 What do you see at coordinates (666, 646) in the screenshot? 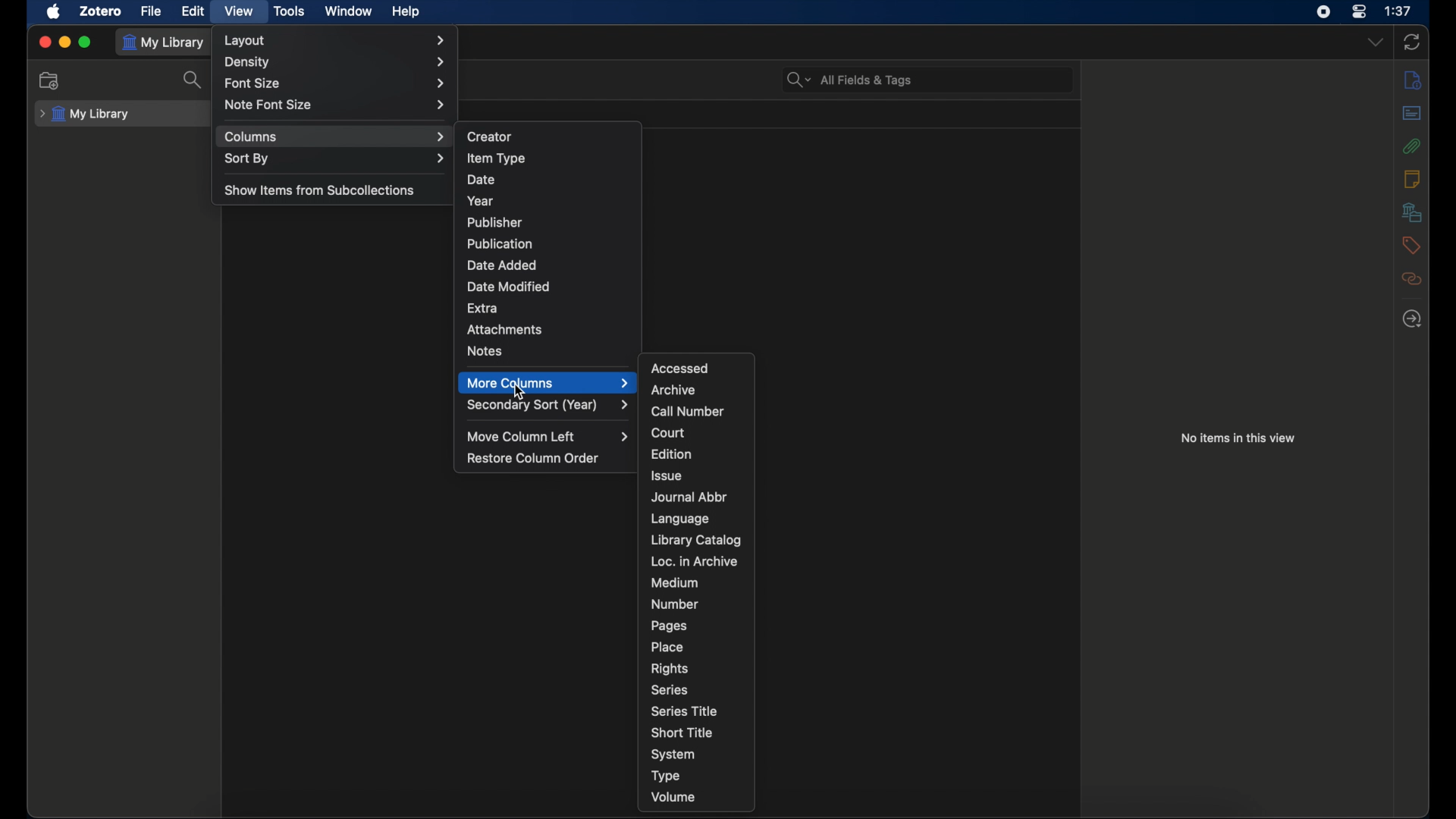
I see `place` at bounding box center [666, 646].